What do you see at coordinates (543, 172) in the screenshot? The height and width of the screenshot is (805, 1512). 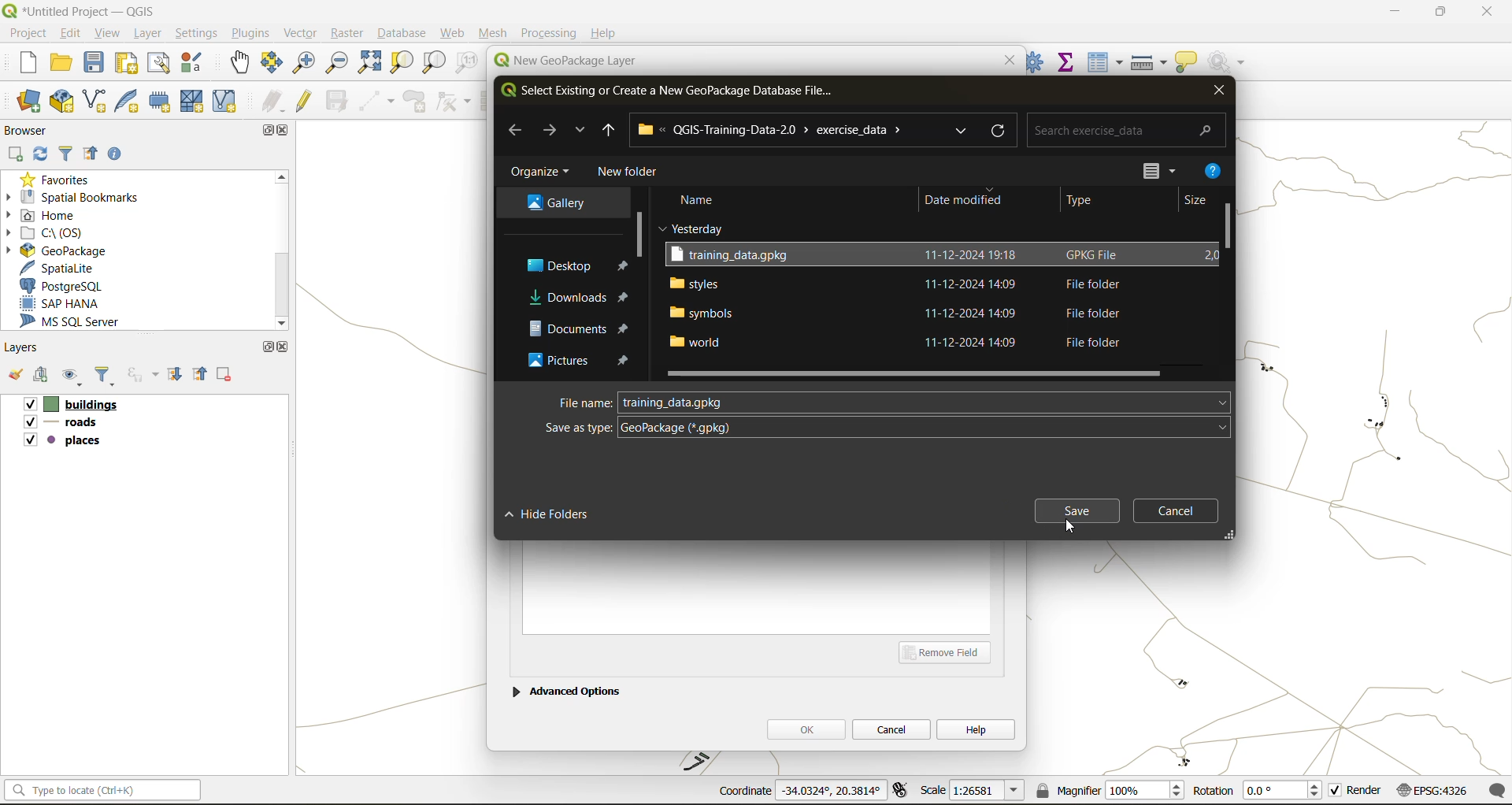 I see `organize` at bounding box center [543, 172].